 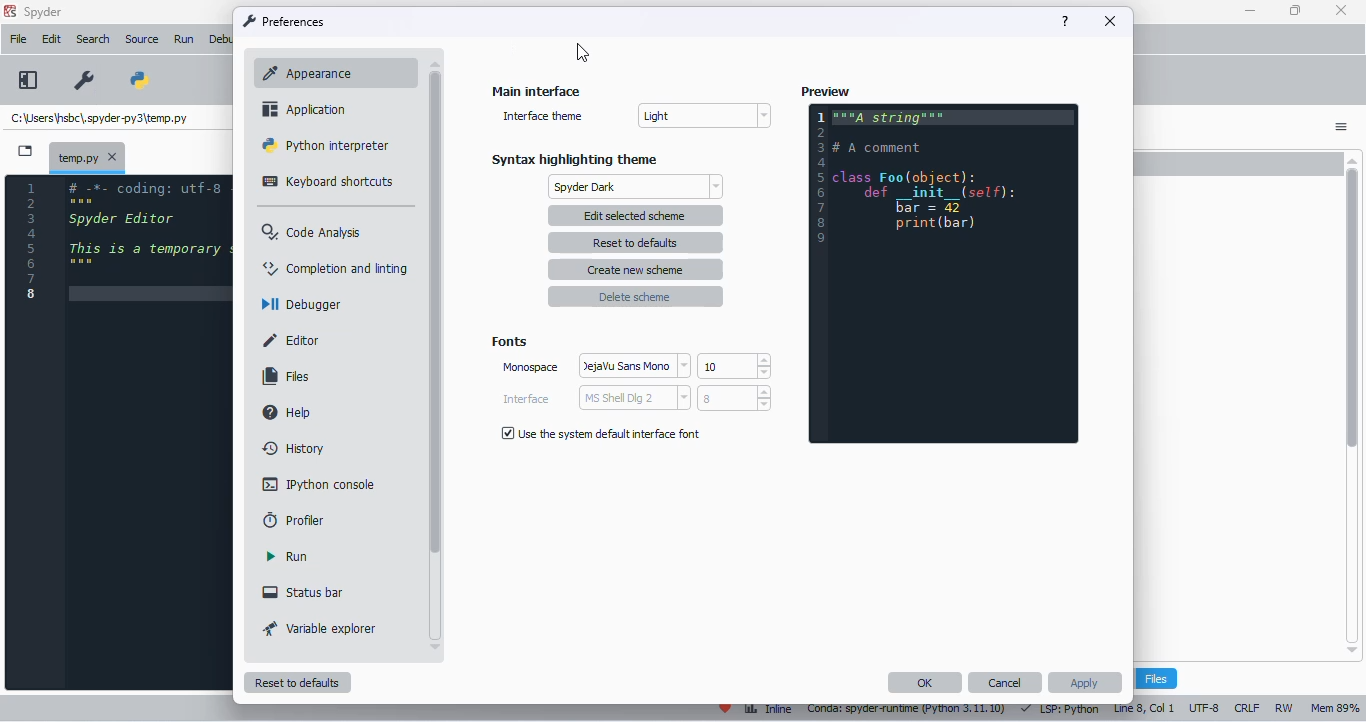 I want to click on options, so click(x=1342, y=126).